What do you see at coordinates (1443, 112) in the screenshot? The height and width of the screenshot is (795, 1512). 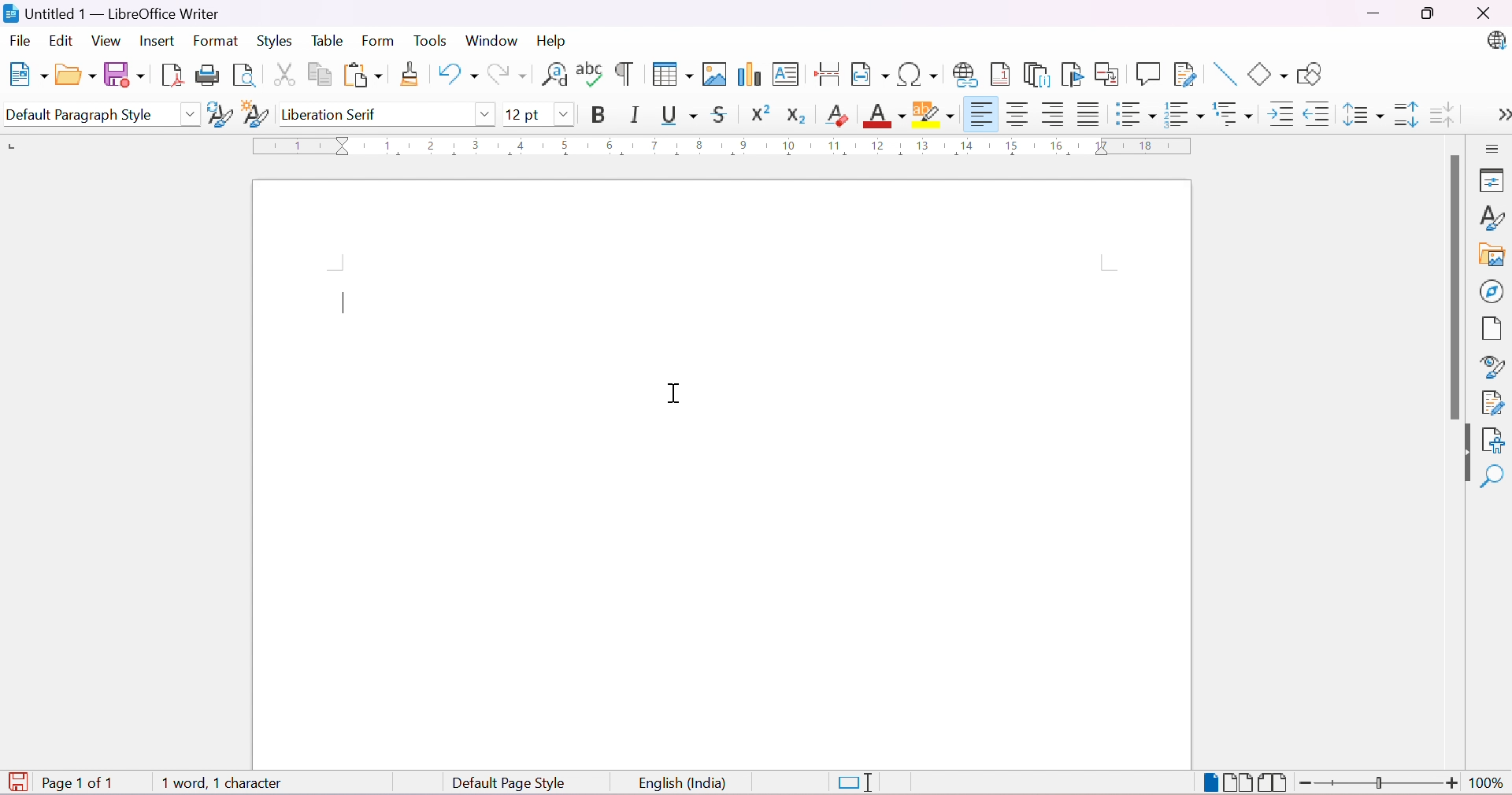 I see `Decrease Paragraph Spacing` at bounding box center [1443, 112].